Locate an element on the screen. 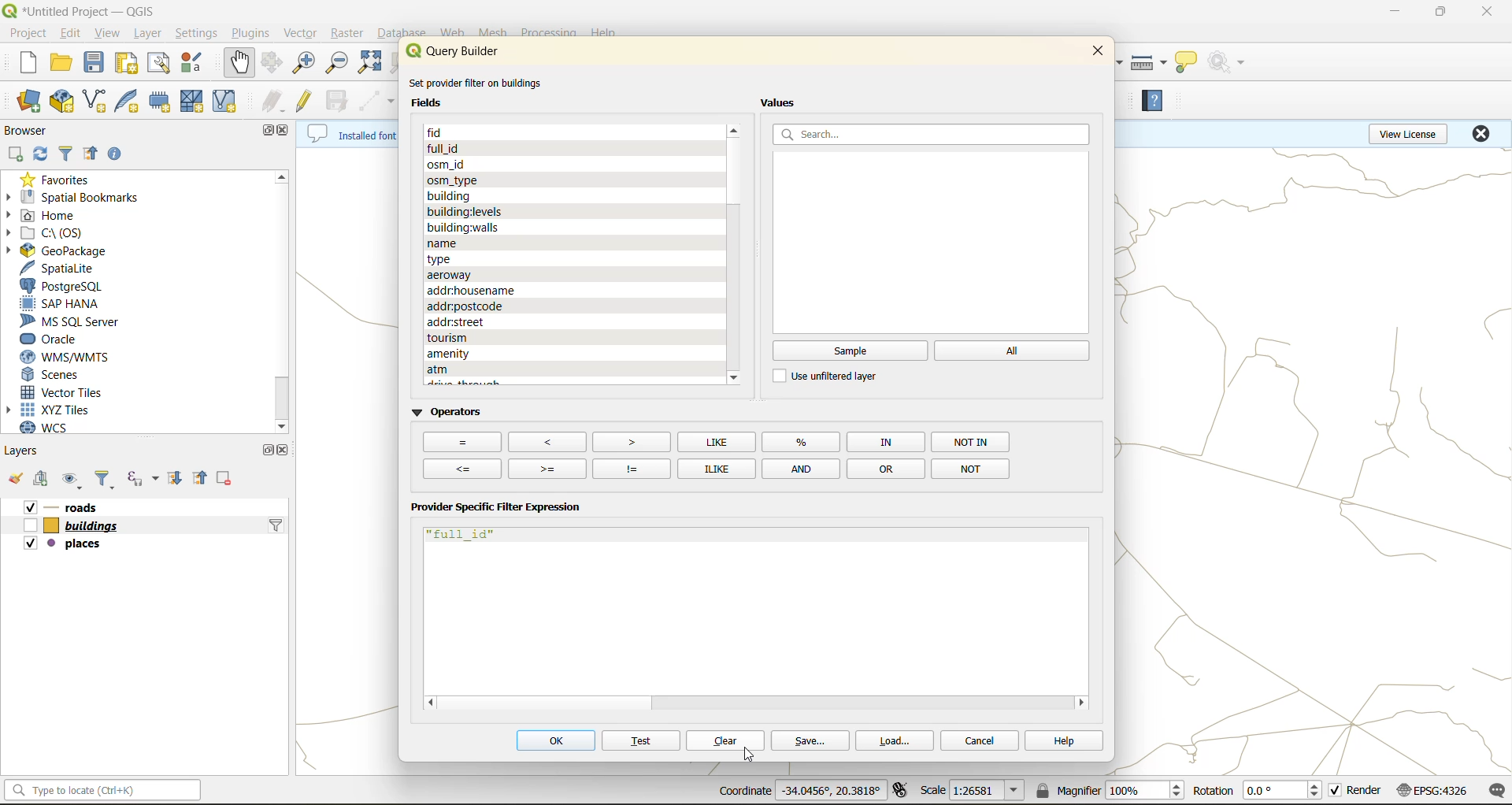 The width and height of the screenshot is (1512, 805). close is located at coordinates (1094, 55).